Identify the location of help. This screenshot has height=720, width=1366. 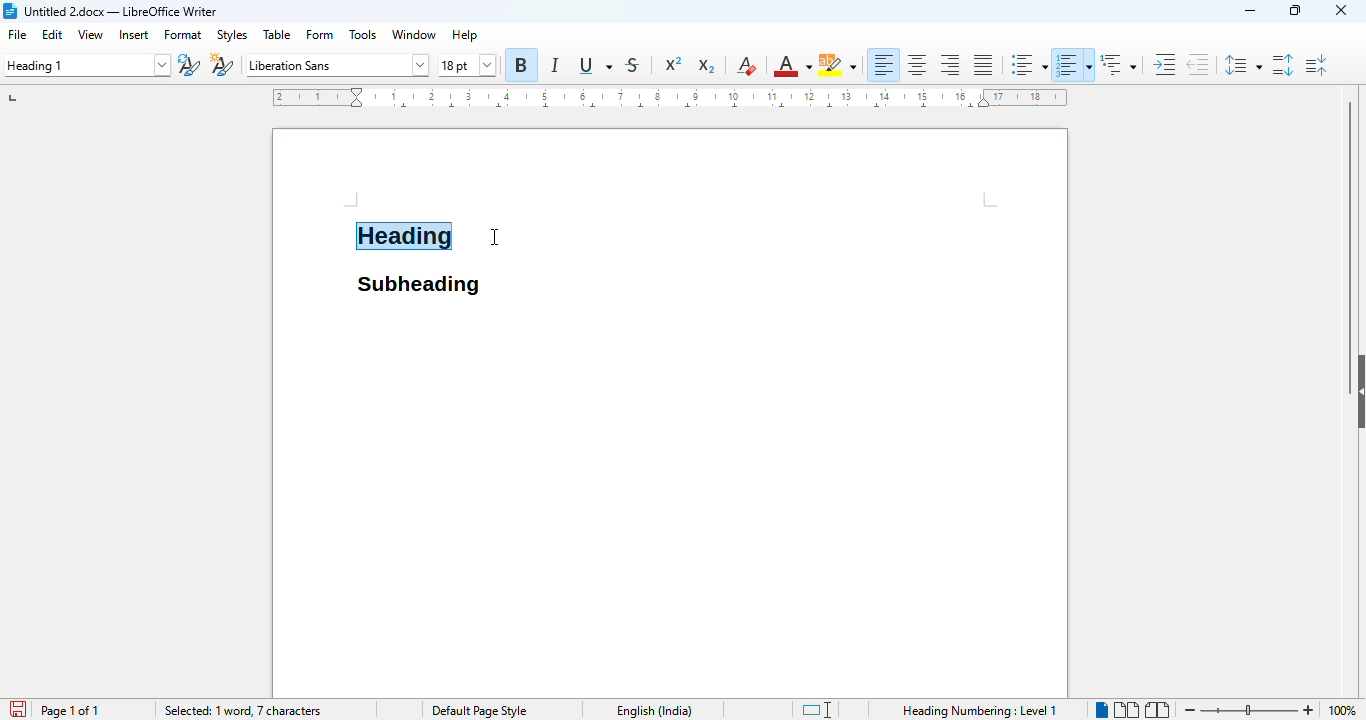
(464, 34).